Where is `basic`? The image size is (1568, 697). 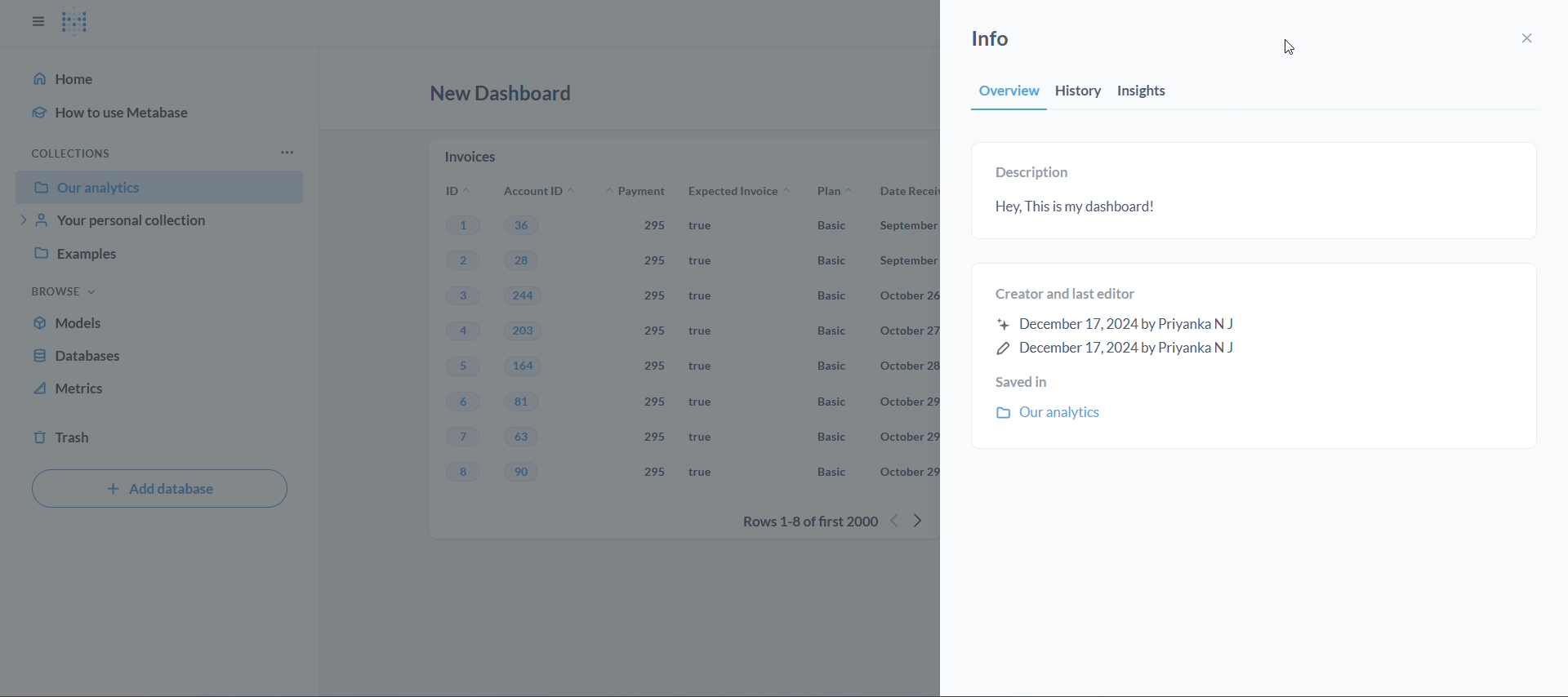
basic is located at coordinates (831, 263).